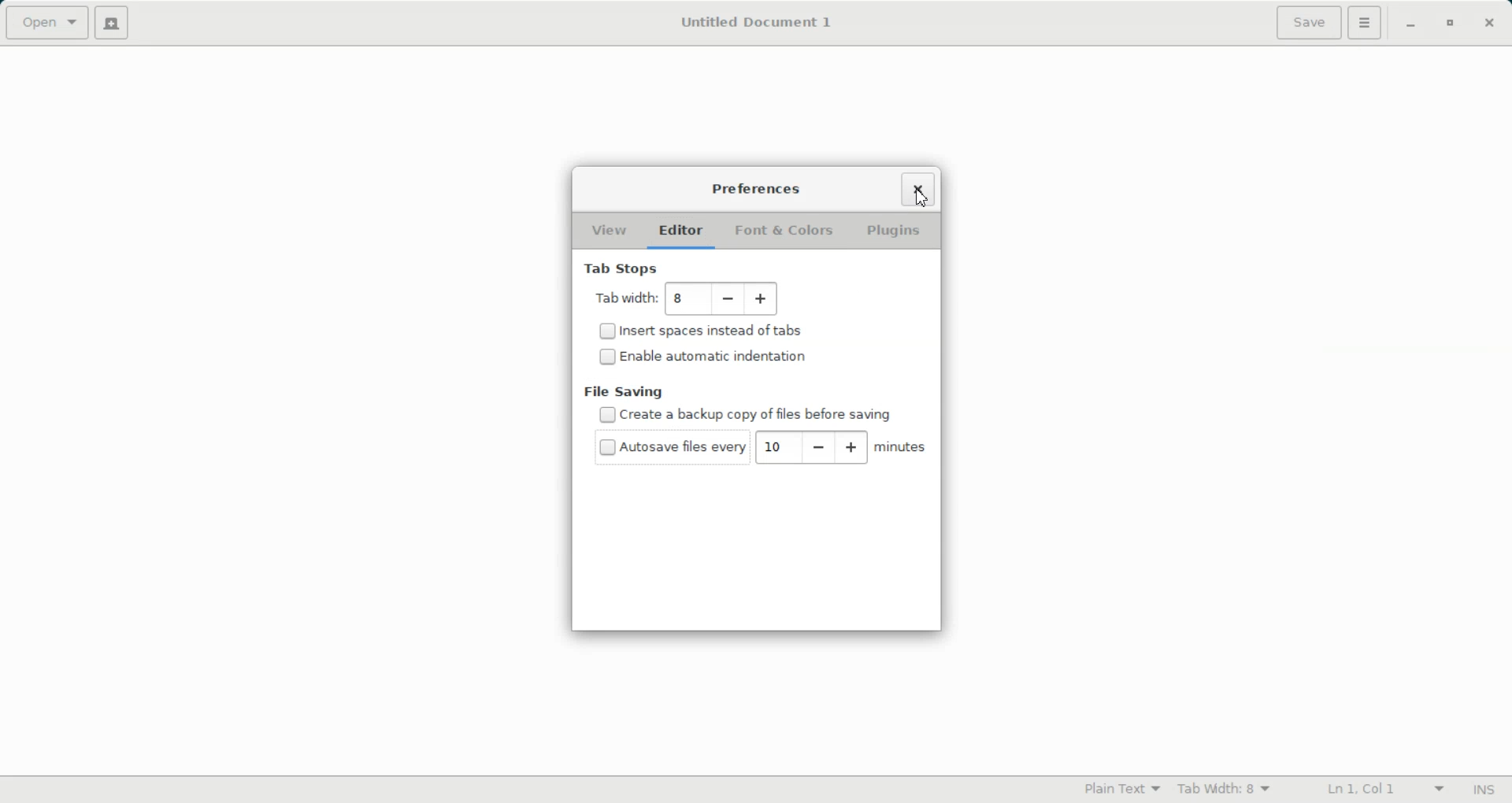  Describe the element at coordinates (773, 447) in the screenshot. I see `10` at that location.